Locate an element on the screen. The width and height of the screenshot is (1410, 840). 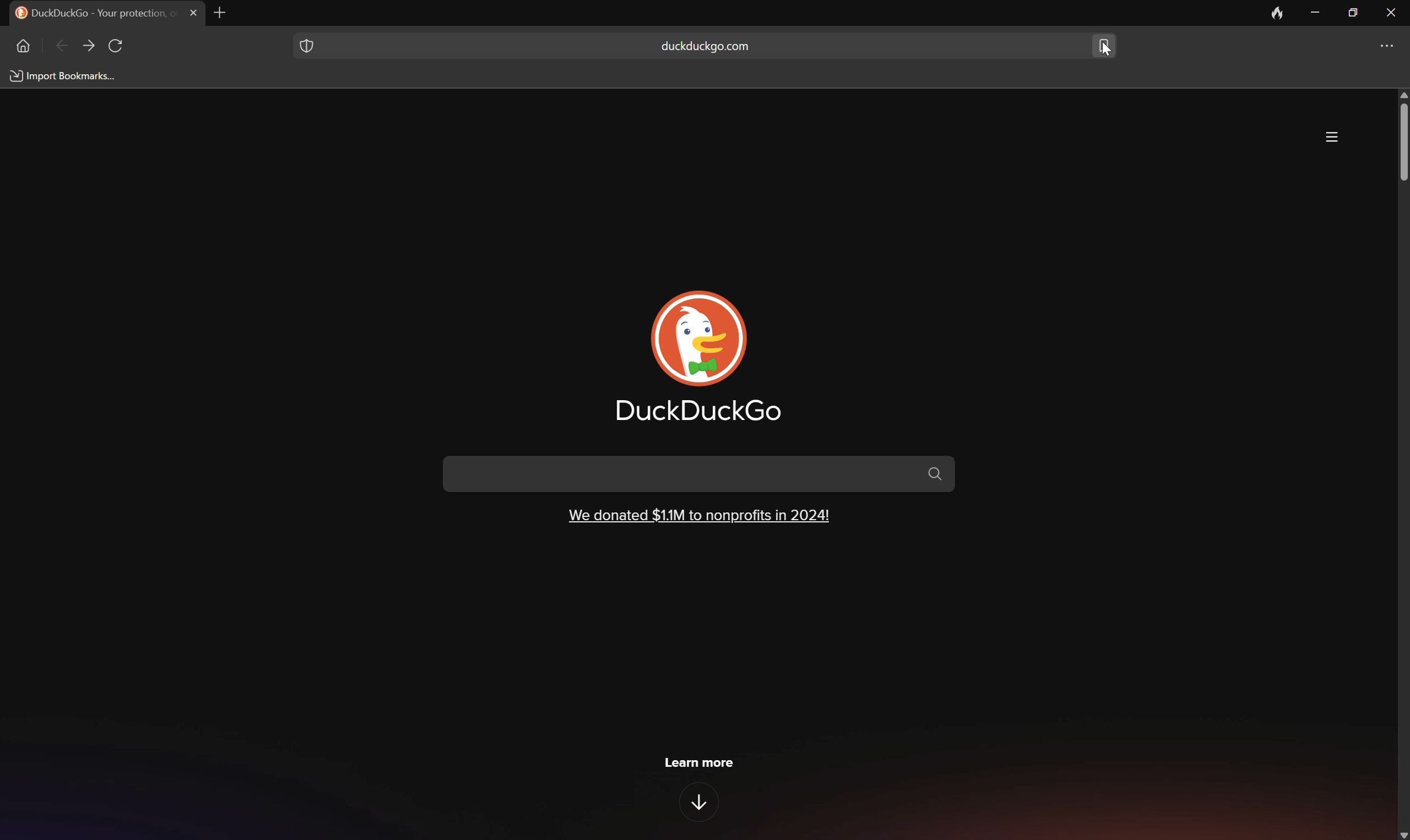
Go down is located at coordinates (702, 803).